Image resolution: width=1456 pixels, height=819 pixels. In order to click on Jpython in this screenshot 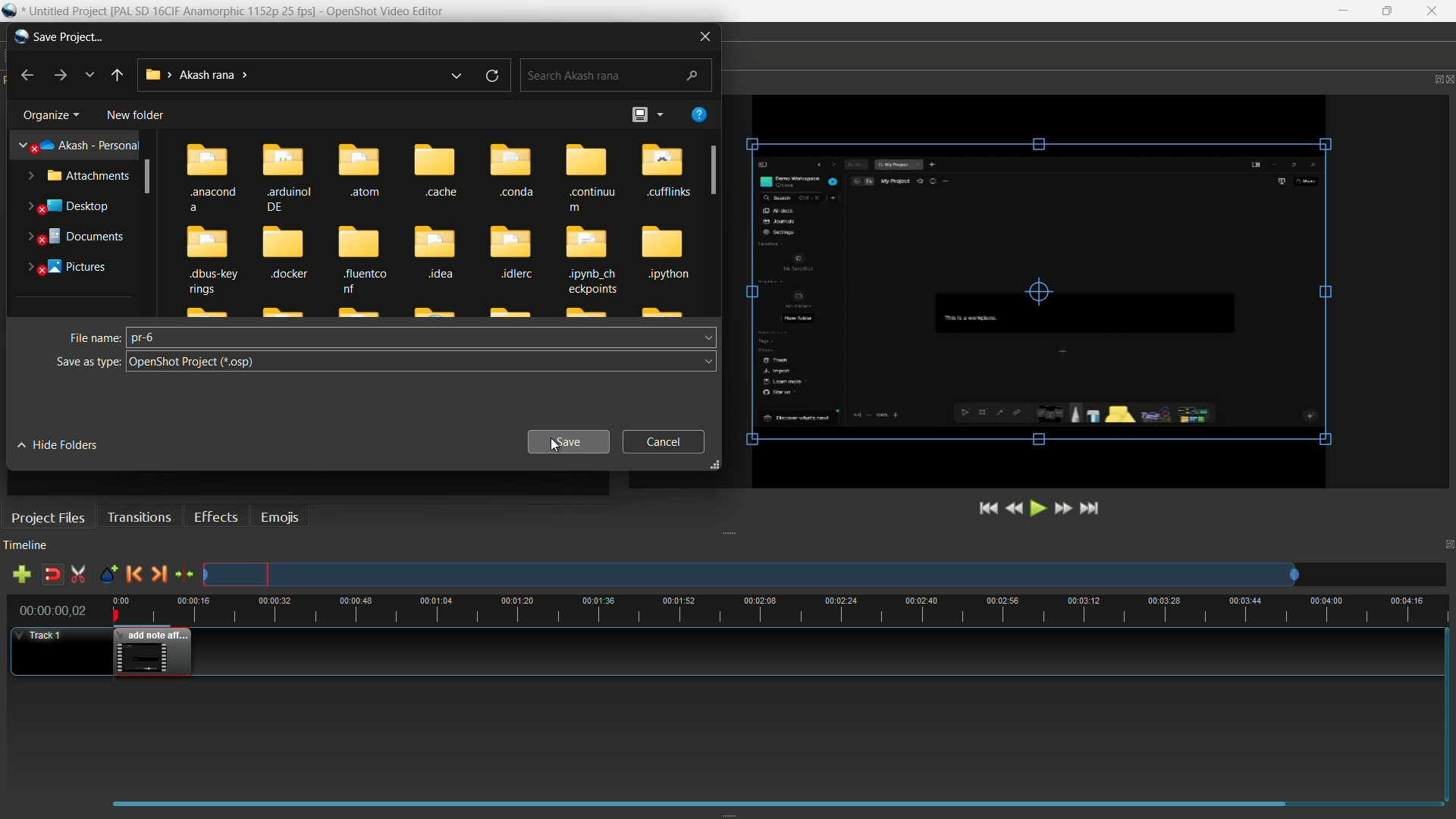, I will do `click(667, 255)`.